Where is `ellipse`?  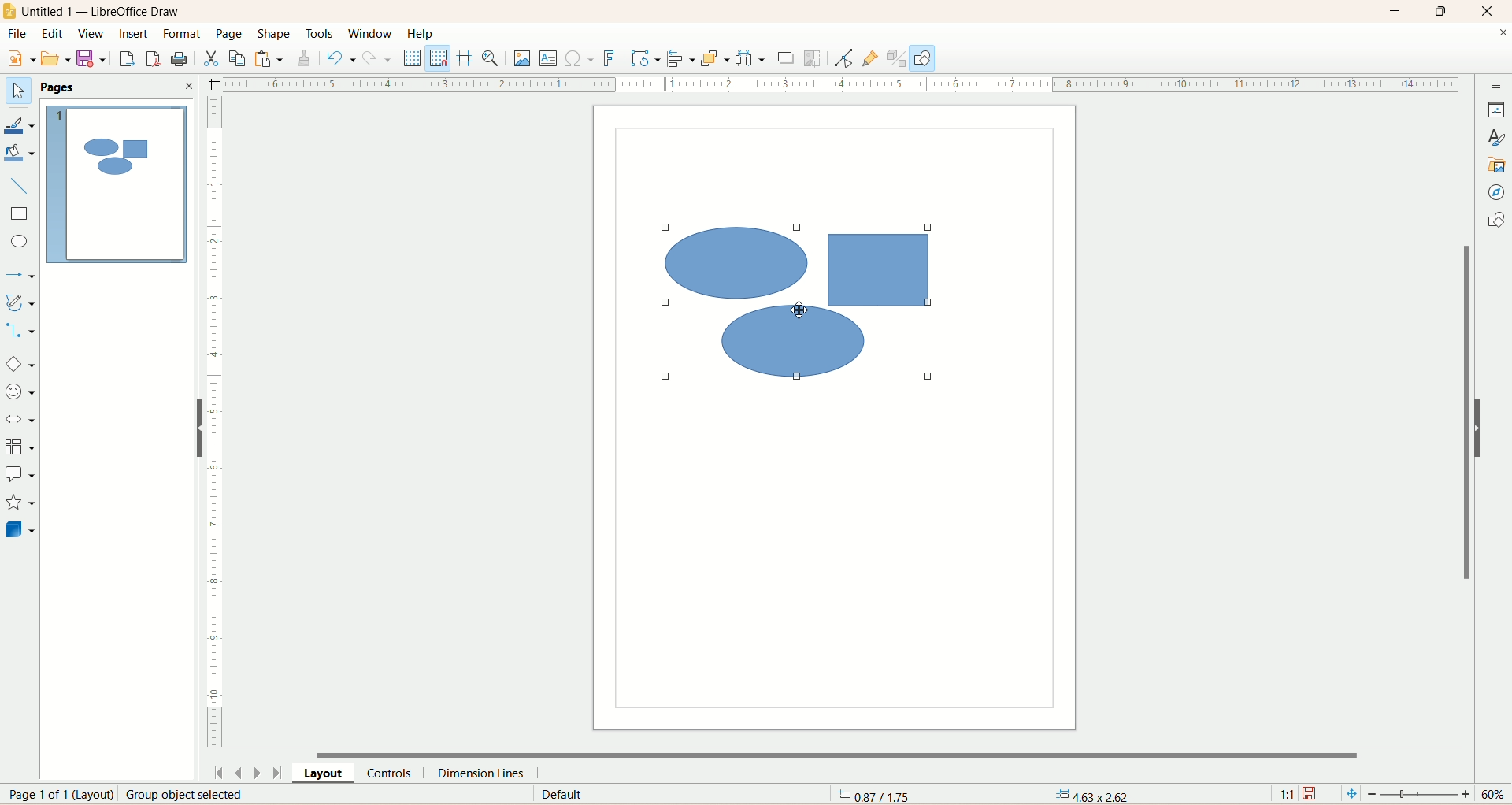 ellipse is located at coordinates (17, 243).